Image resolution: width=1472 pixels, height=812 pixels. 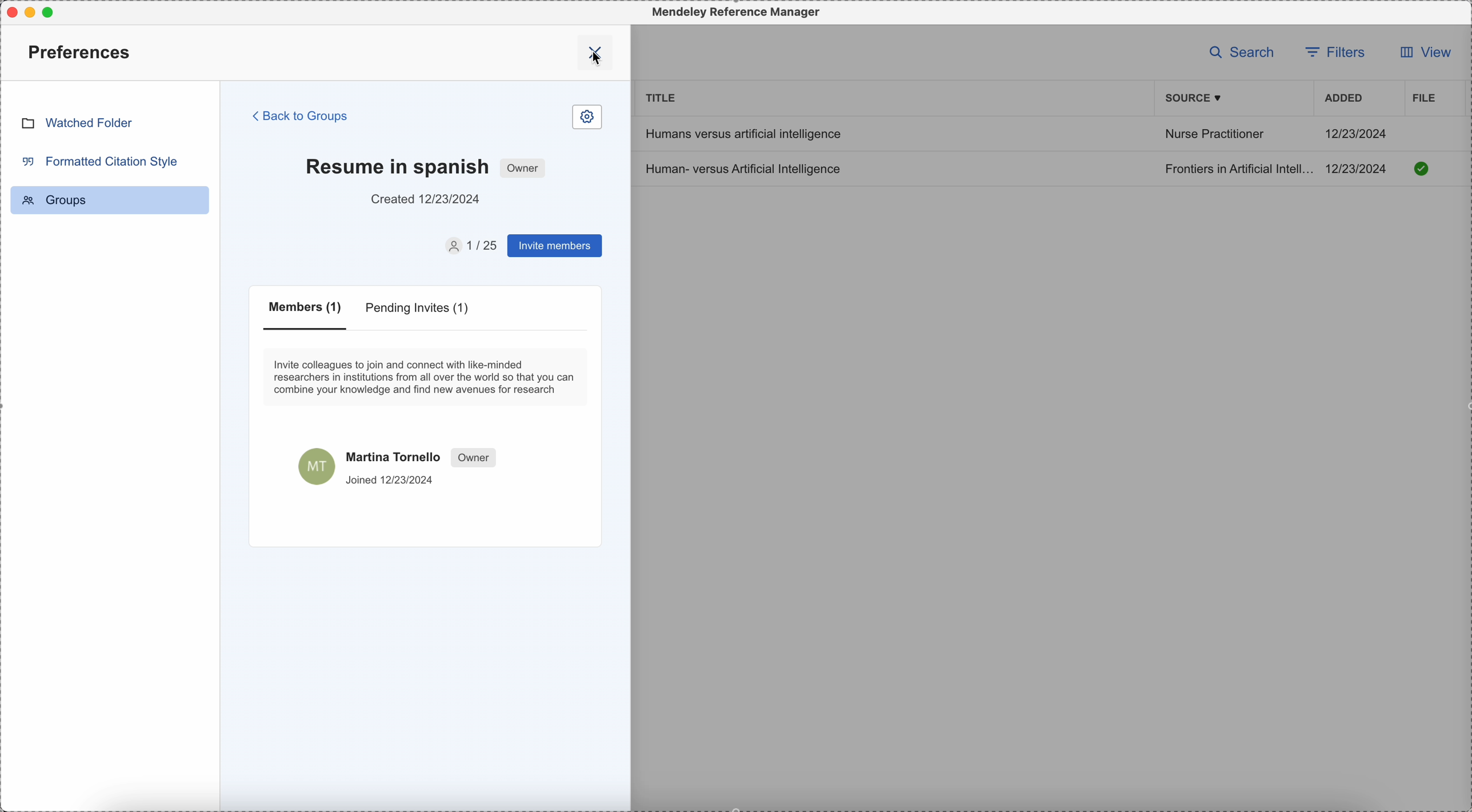 I want to click on resume in spanish, so click(x=397, y=165).